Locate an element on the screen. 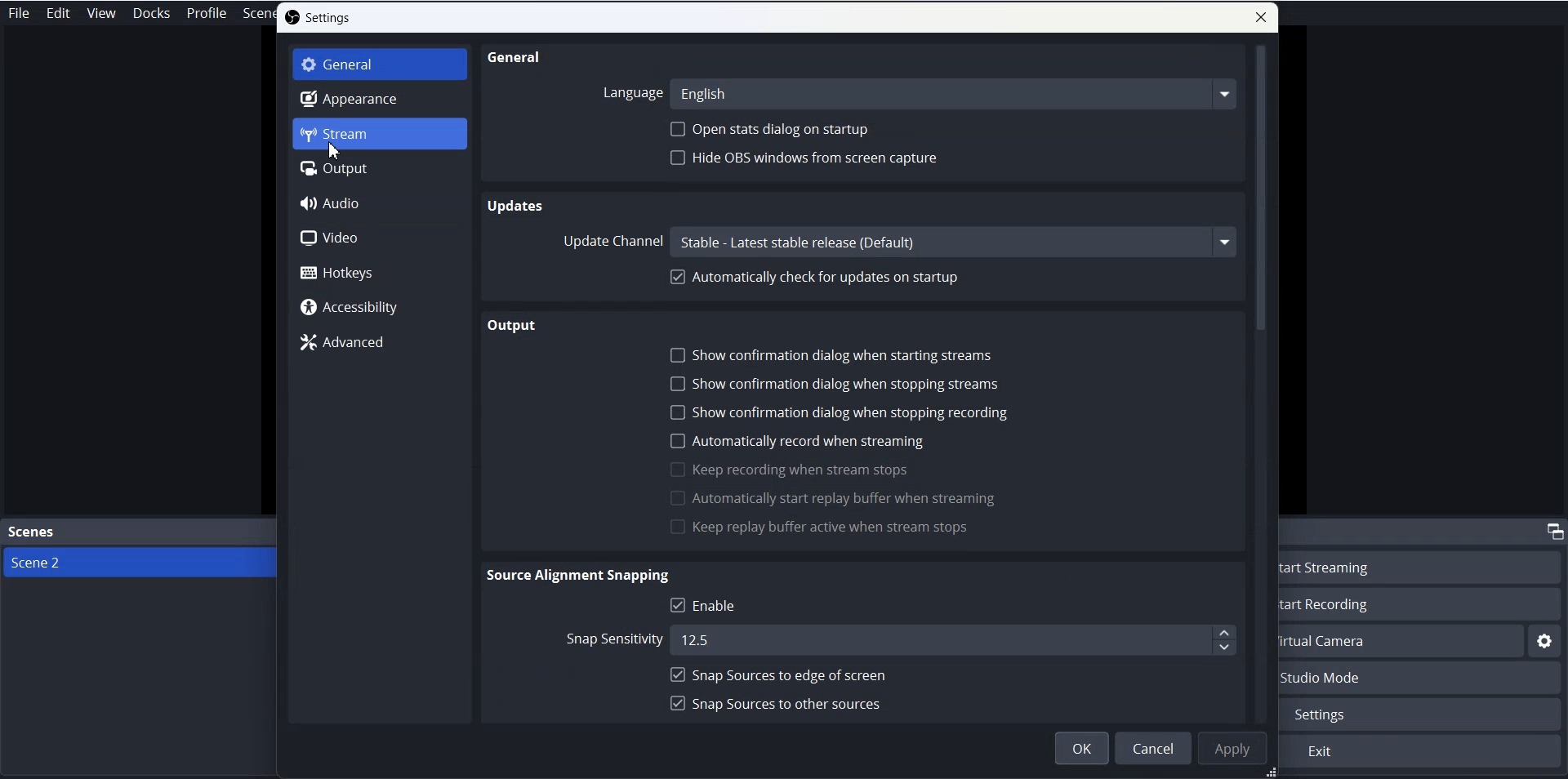 This screenshot has width=1568, height=779. Profile is located at coordinates (207, 13).